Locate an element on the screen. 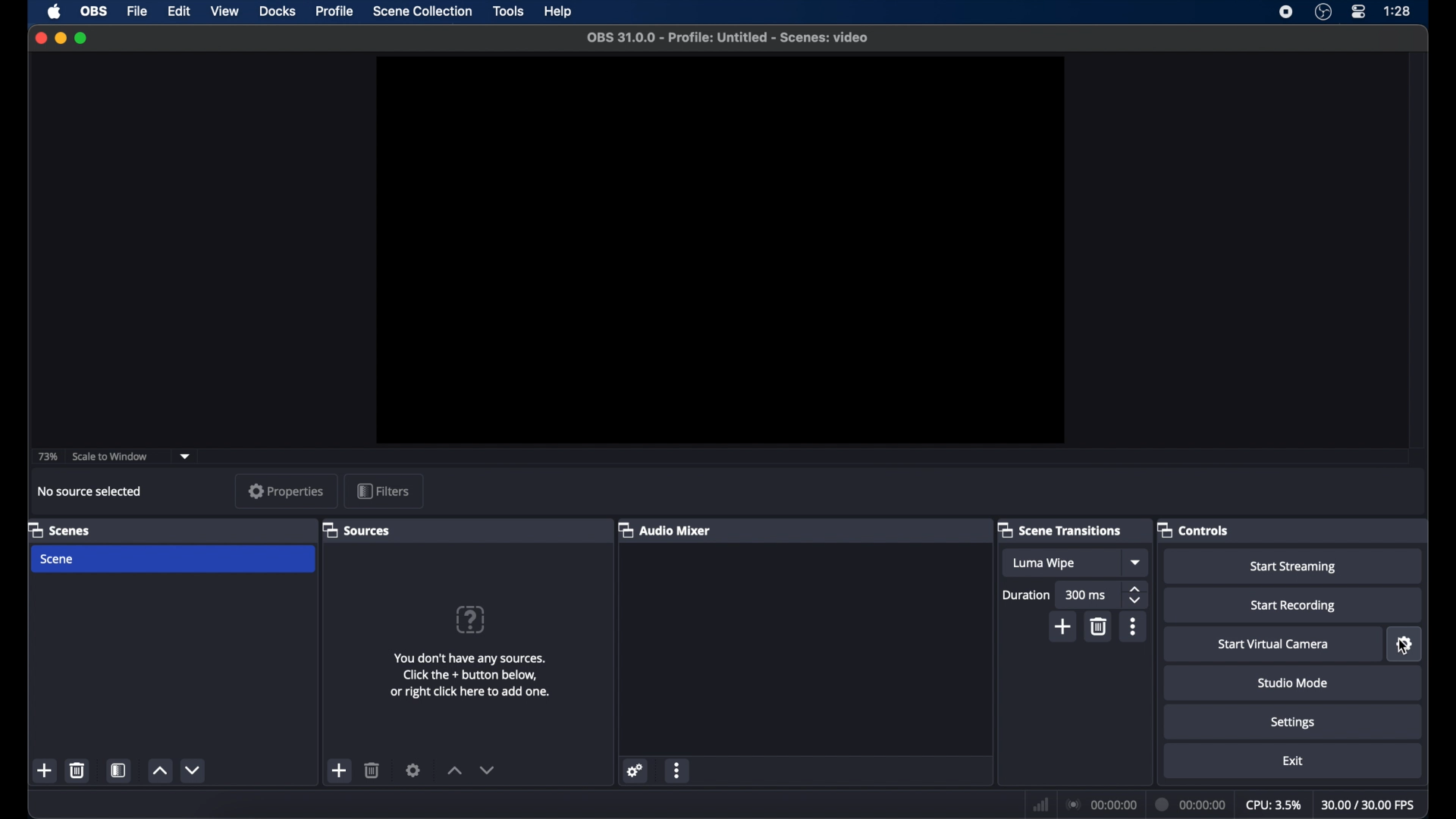 This screenshot has height=819, width=1456. minimize is located at coordinates (60, 38).